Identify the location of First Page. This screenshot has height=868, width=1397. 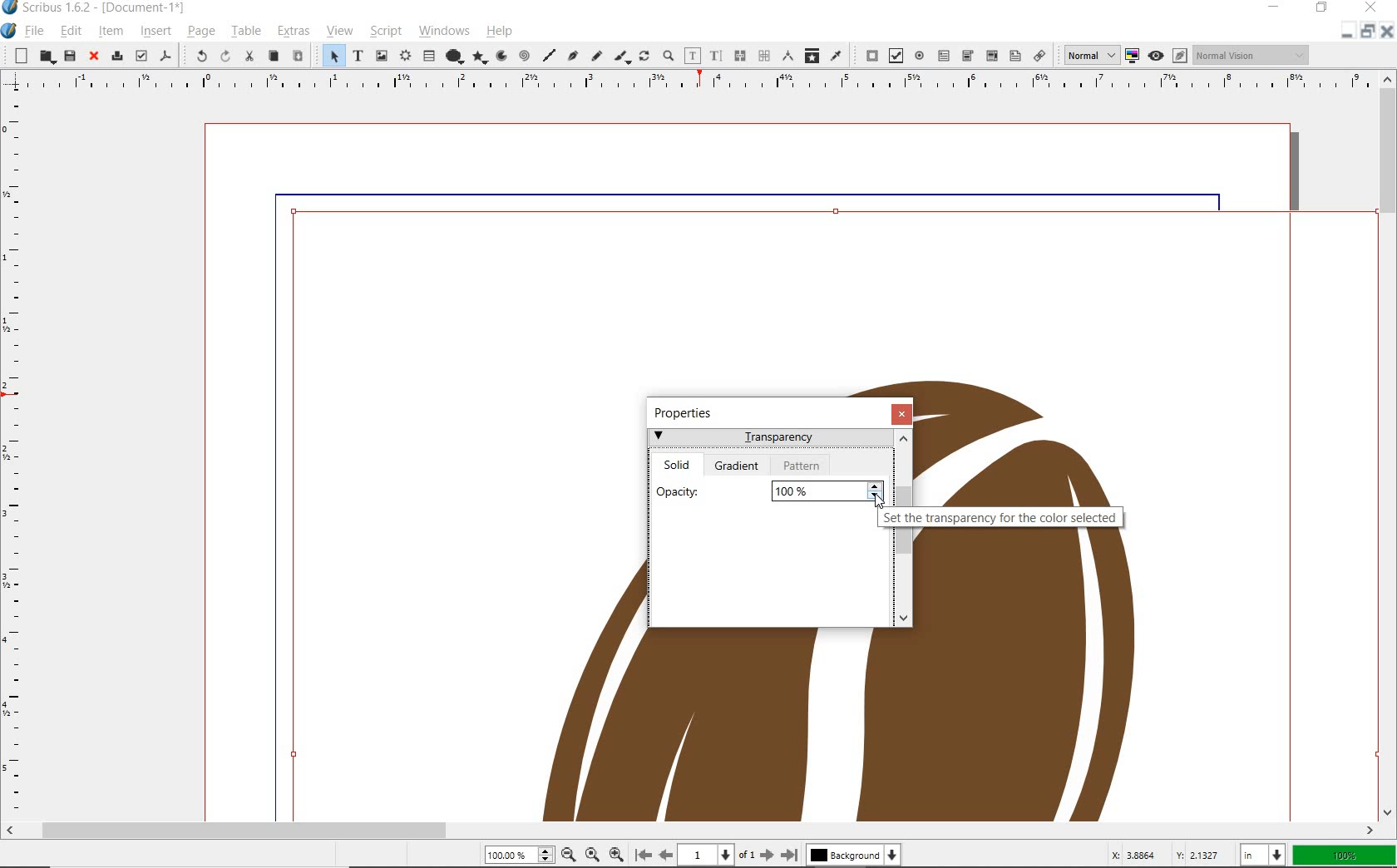
(643, 854).